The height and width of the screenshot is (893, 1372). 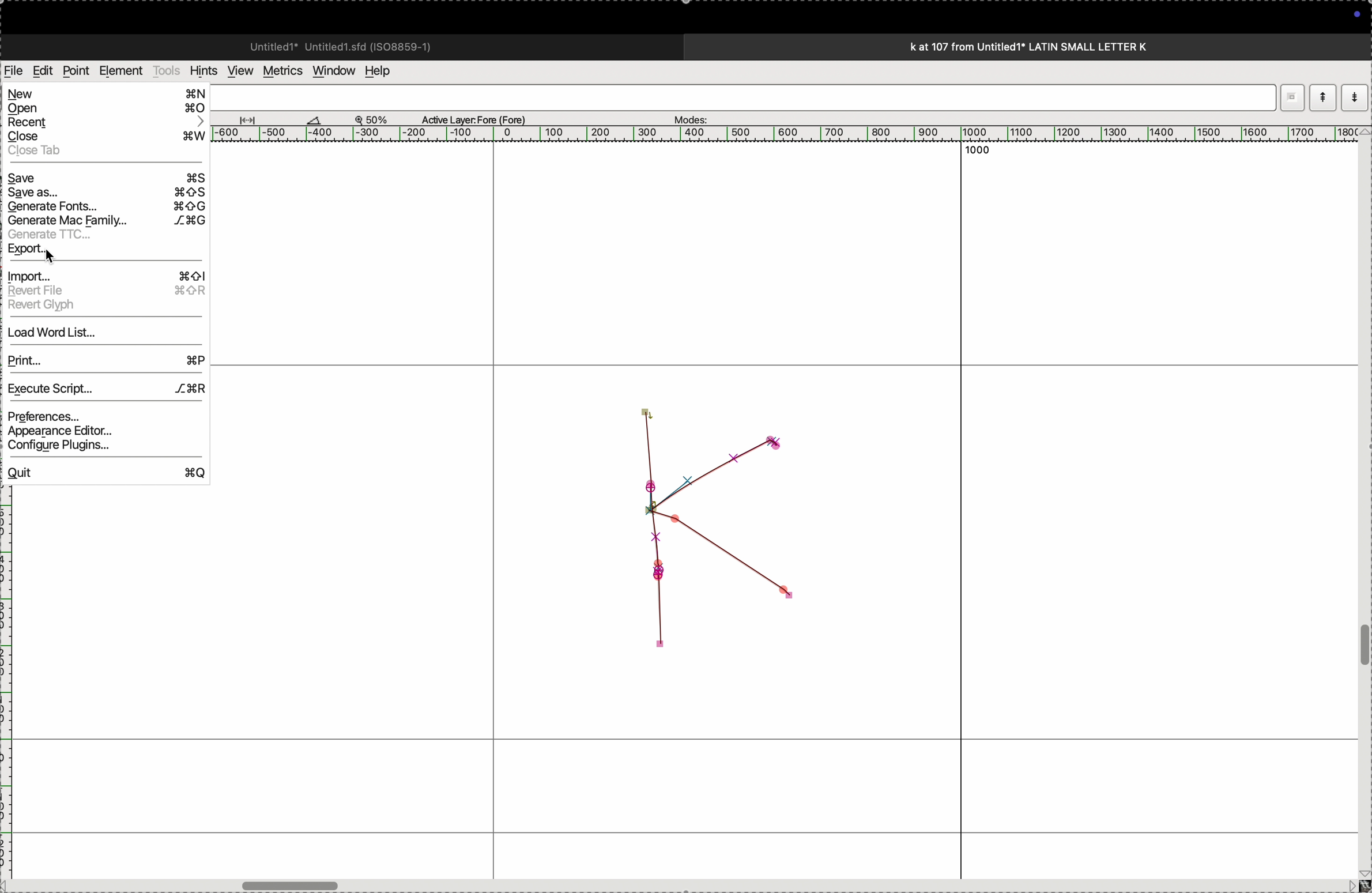 What do you see at coordinates (717, 525) in the screenshot?
I see `glyph k` at bounding box center [717, 525].